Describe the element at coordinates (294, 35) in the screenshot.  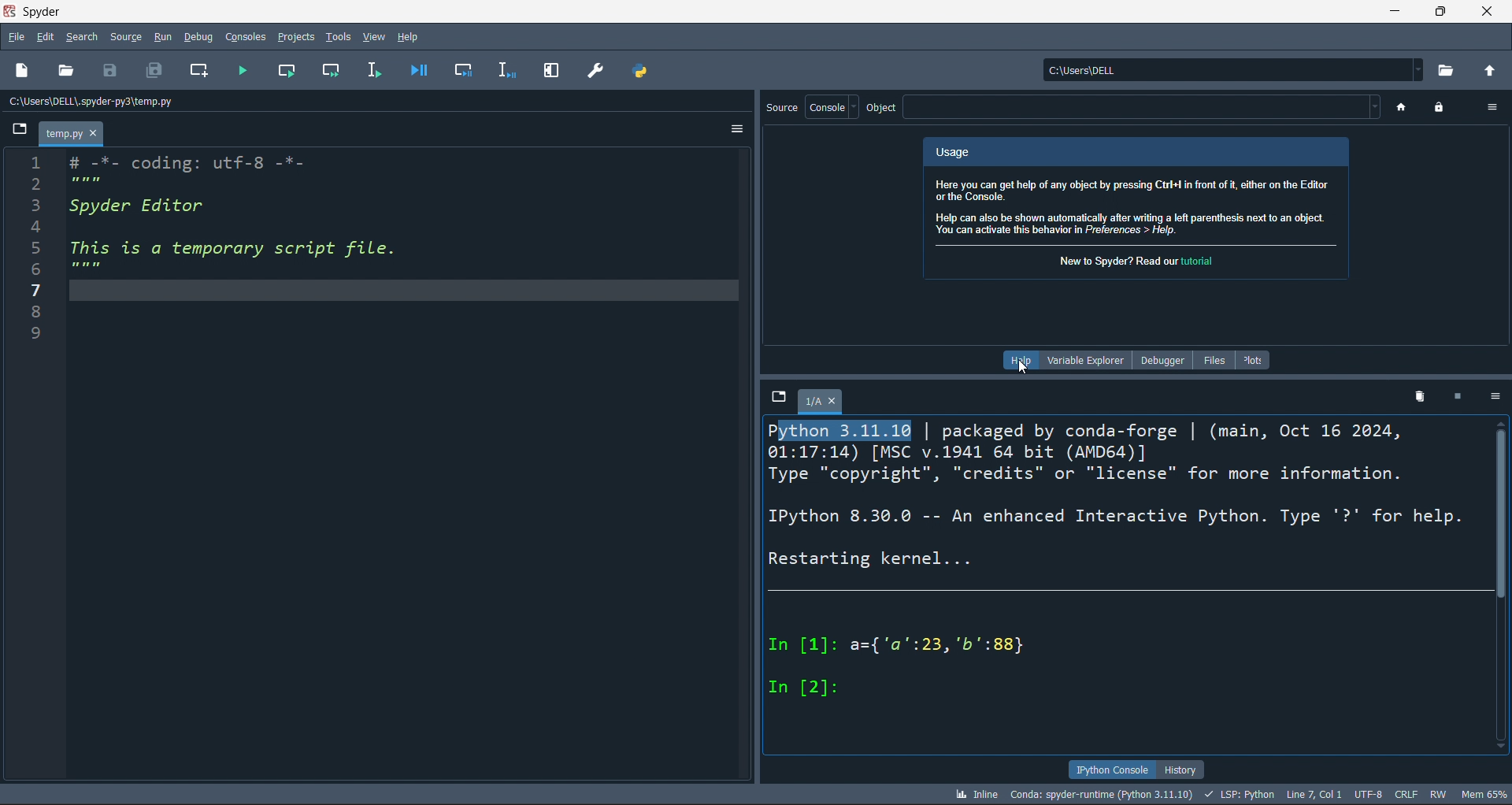
I see `projects` at that location.